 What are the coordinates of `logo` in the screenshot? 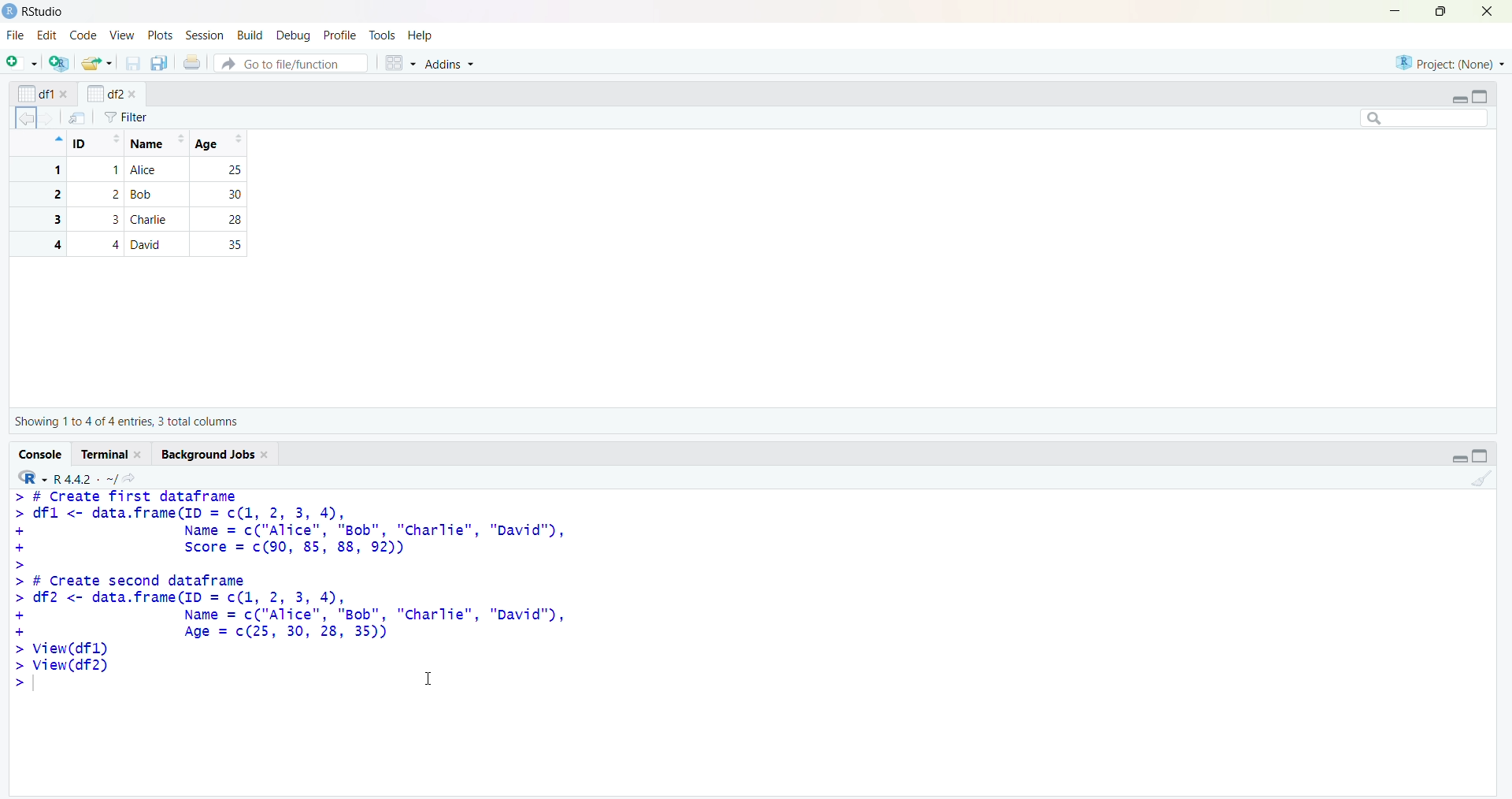 It's located at (11, 12).